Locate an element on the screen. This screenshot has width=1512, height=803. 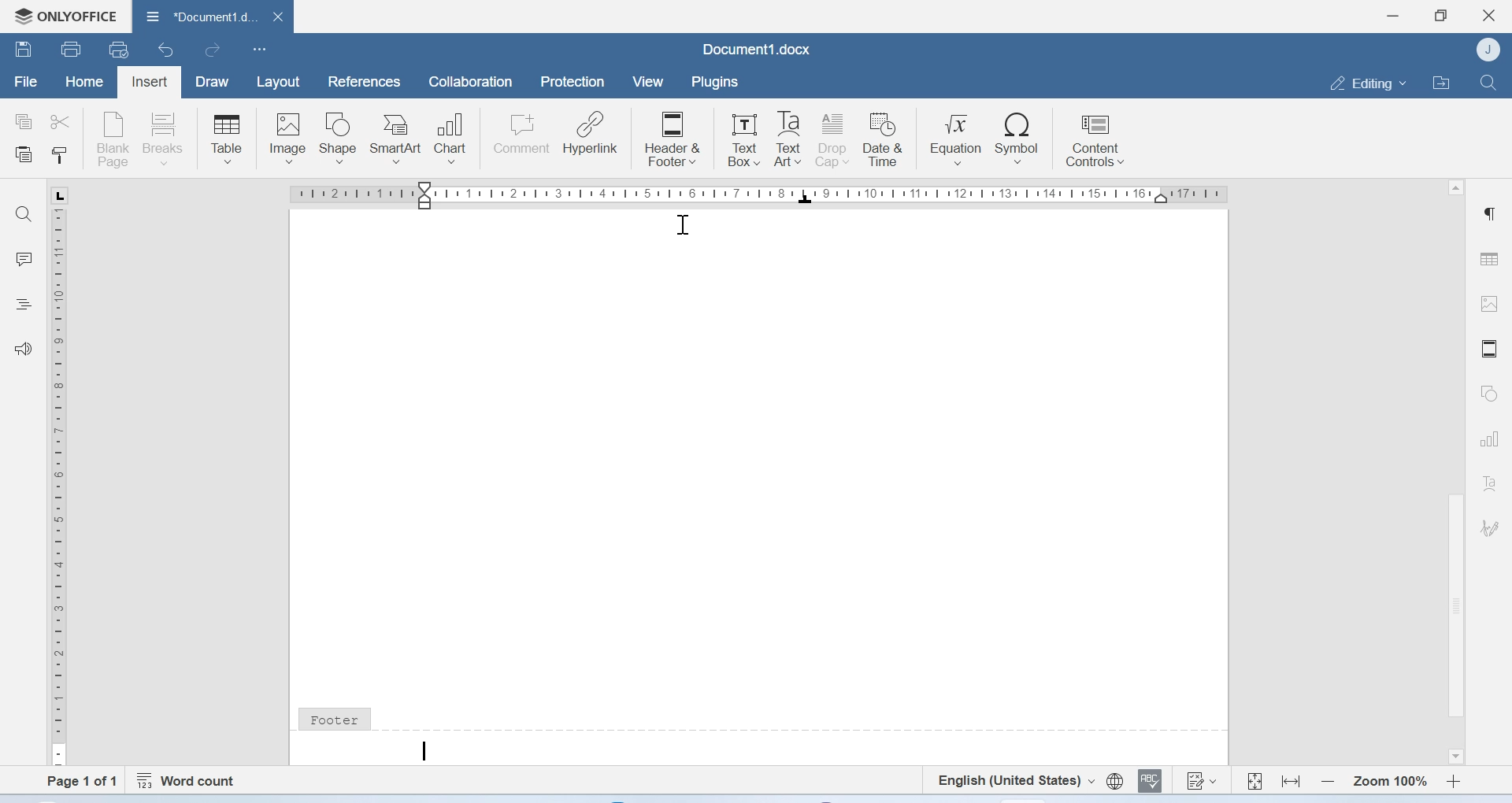
Cursor is located at coordinates (681, 227).